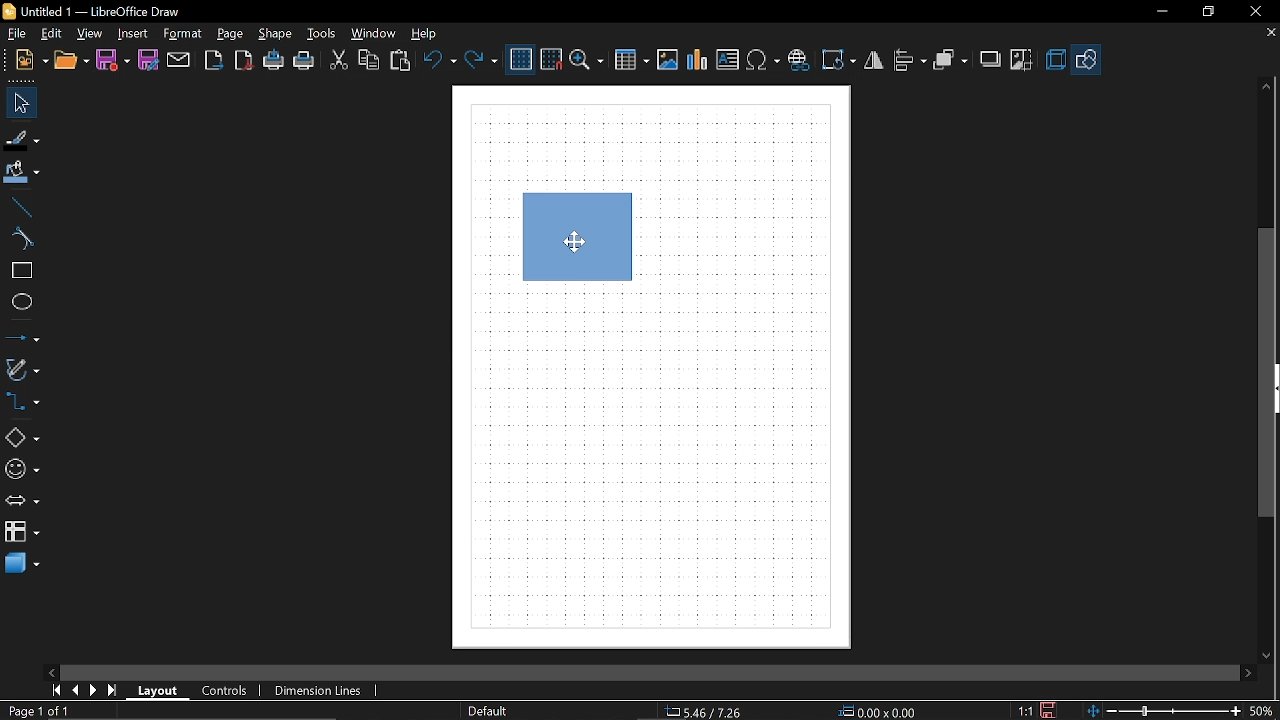 This screenshot has height=720, width=1280. What do you see at coordinates (159, 691) in the screenshot?
I see `Layout` at bounding box center [159, 691].